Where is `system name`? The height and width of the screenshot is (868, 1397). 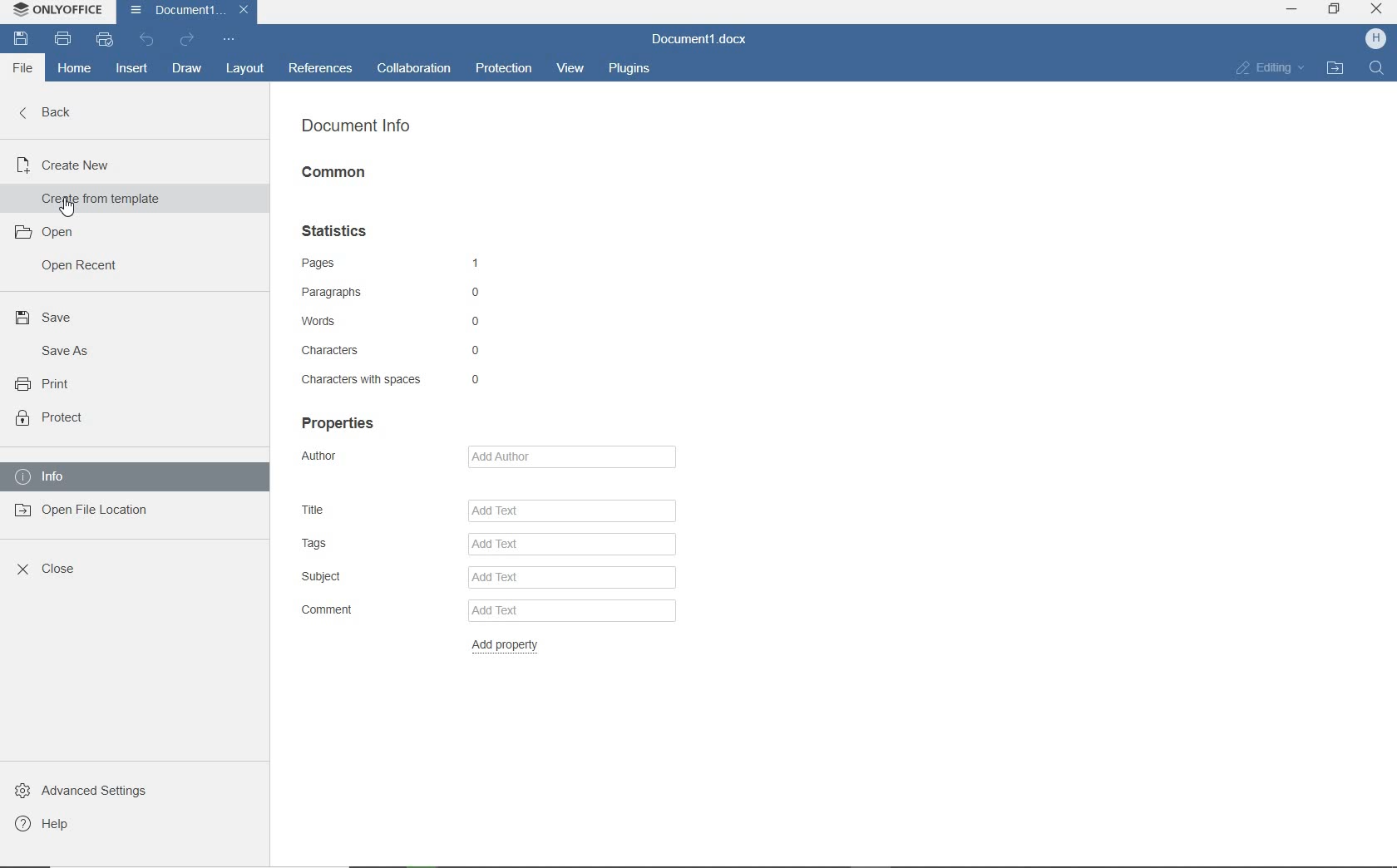
system name is located at coordinates (56, 9).